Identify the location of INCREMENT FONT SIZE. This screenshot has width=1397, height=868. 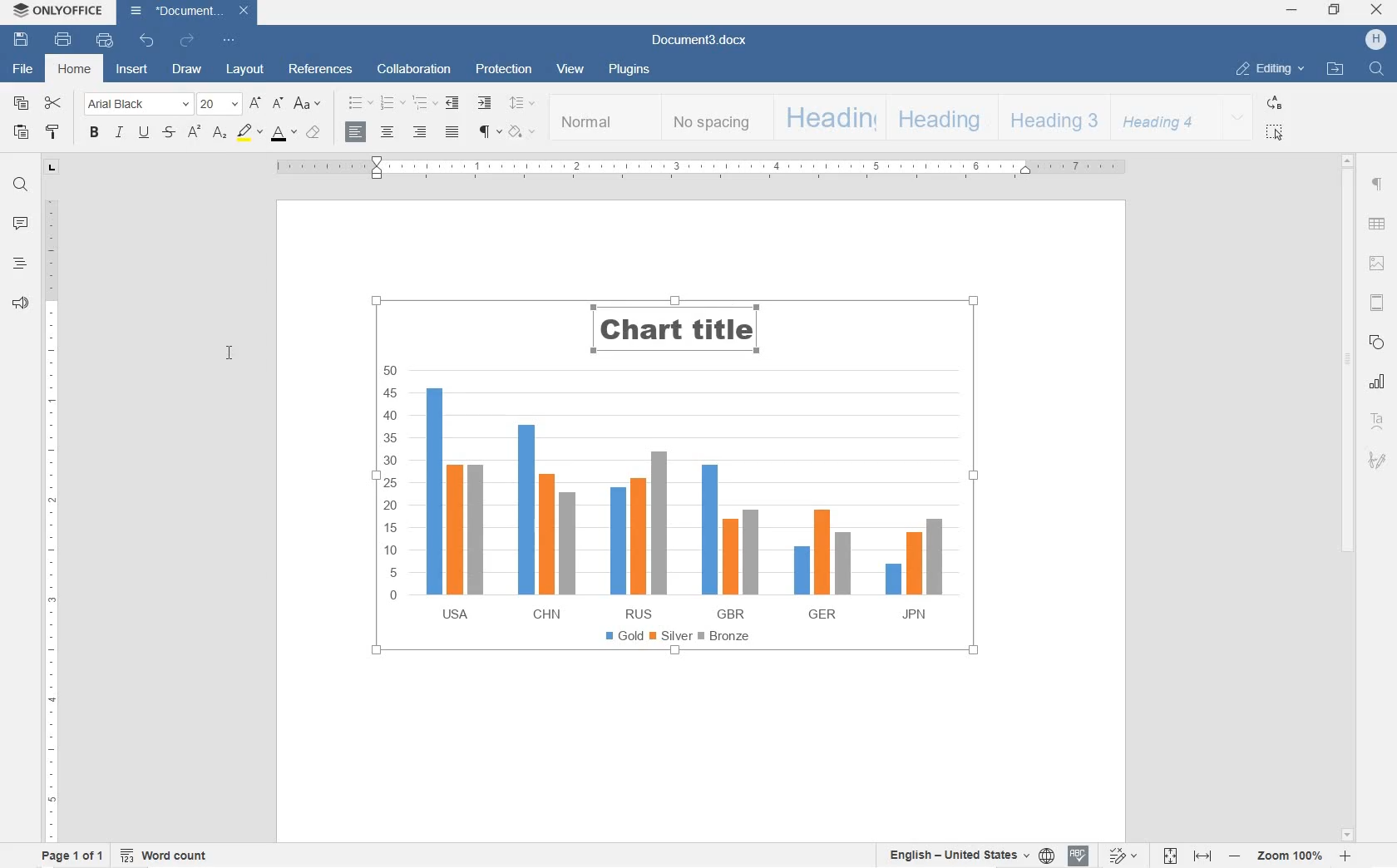
(256, 103).